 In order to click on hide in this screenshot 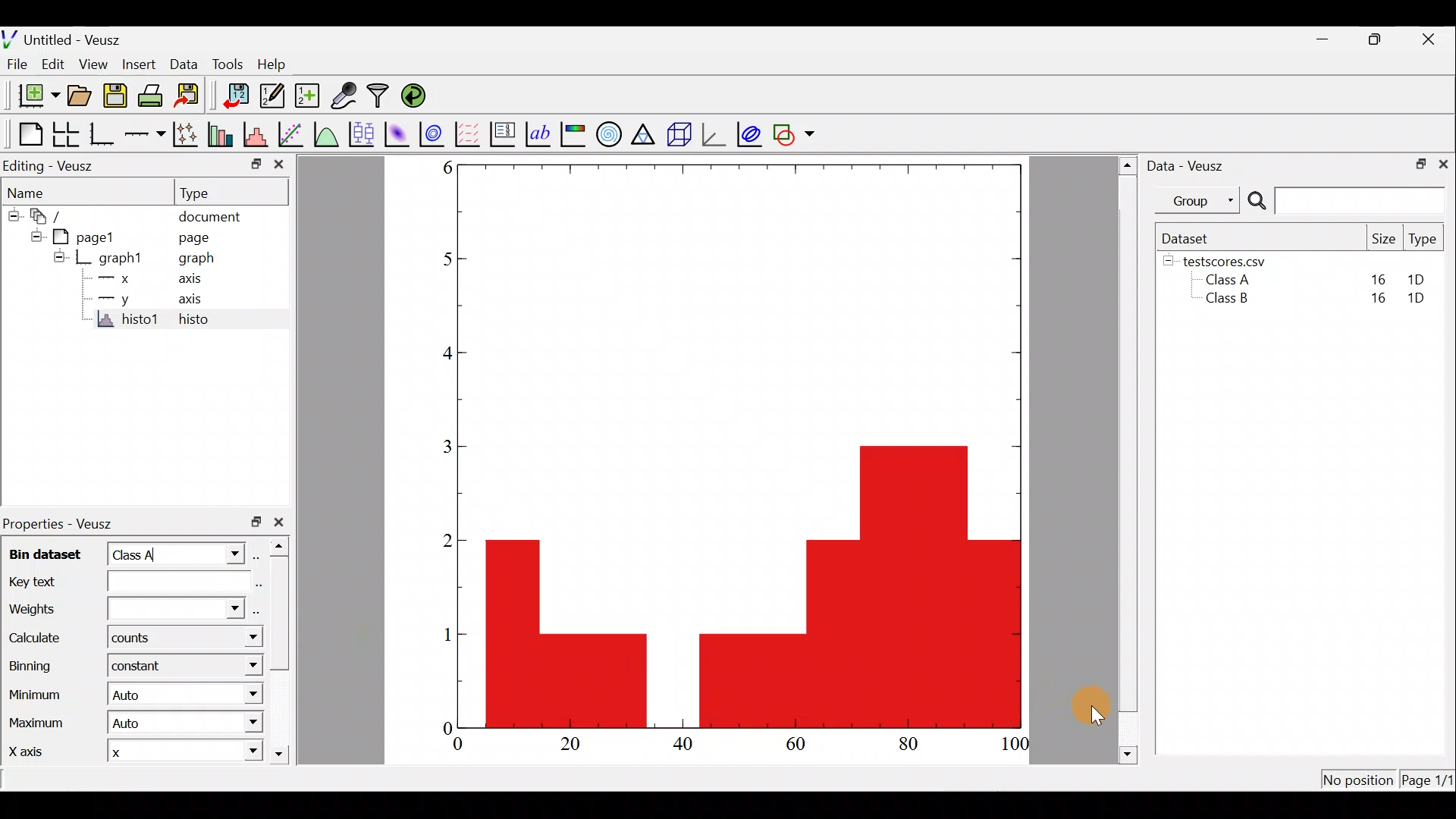, I will do `click(13, 216)`.